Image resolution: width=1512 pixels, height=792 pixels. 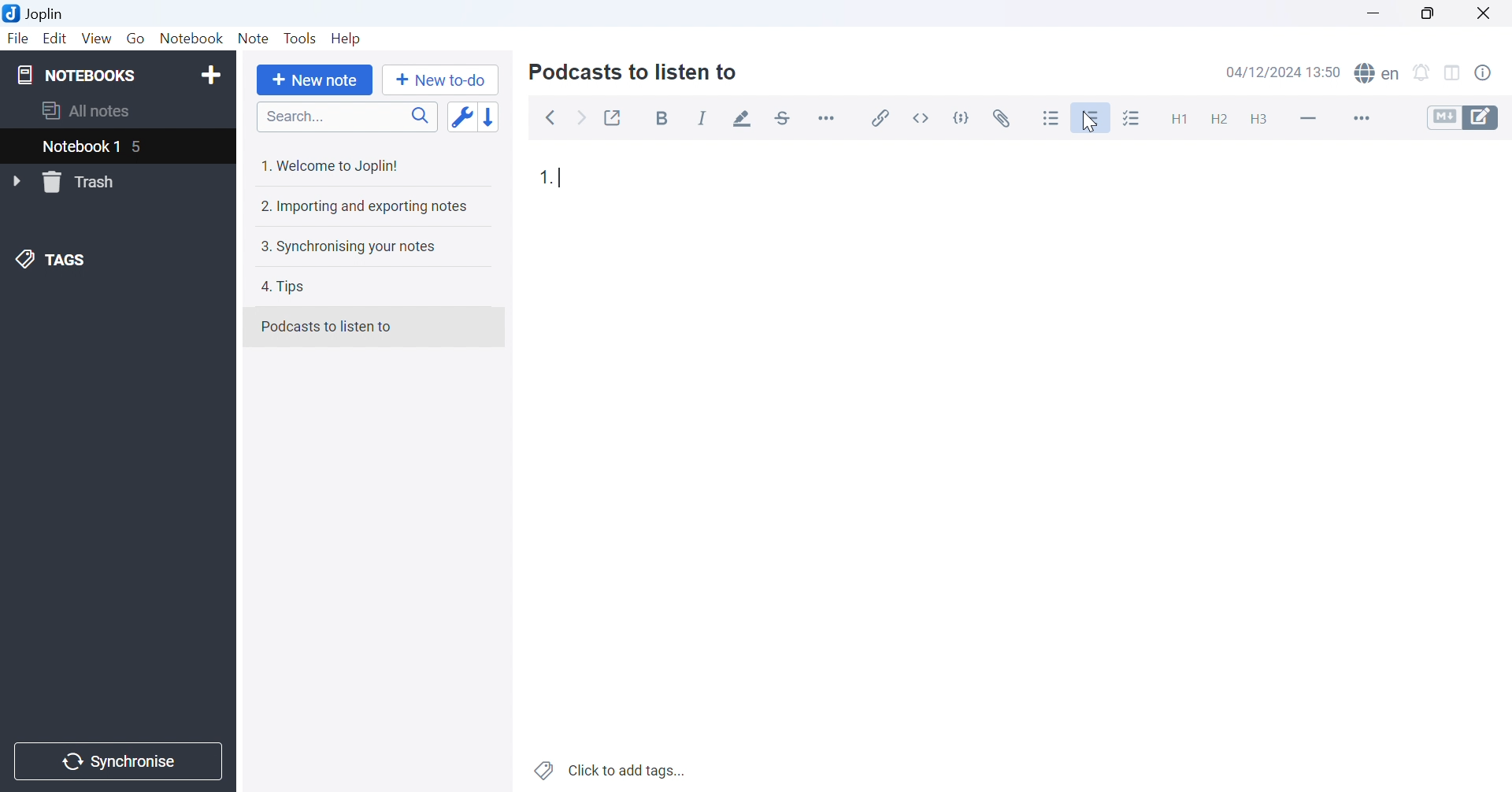 I want to click on All notes, so click(x=87, y=112).